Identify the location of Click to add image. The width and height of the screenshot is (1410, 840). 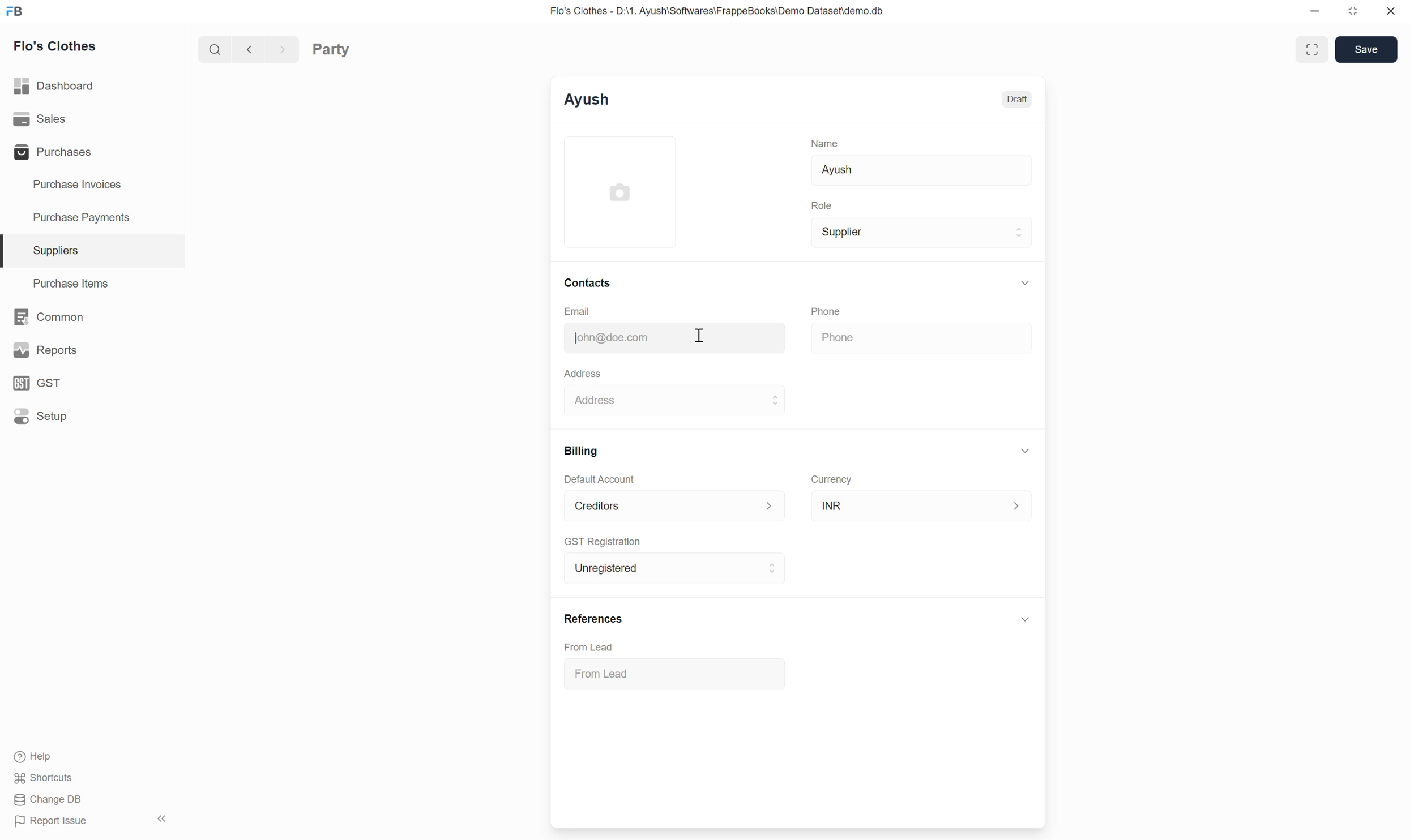
(620, 191).